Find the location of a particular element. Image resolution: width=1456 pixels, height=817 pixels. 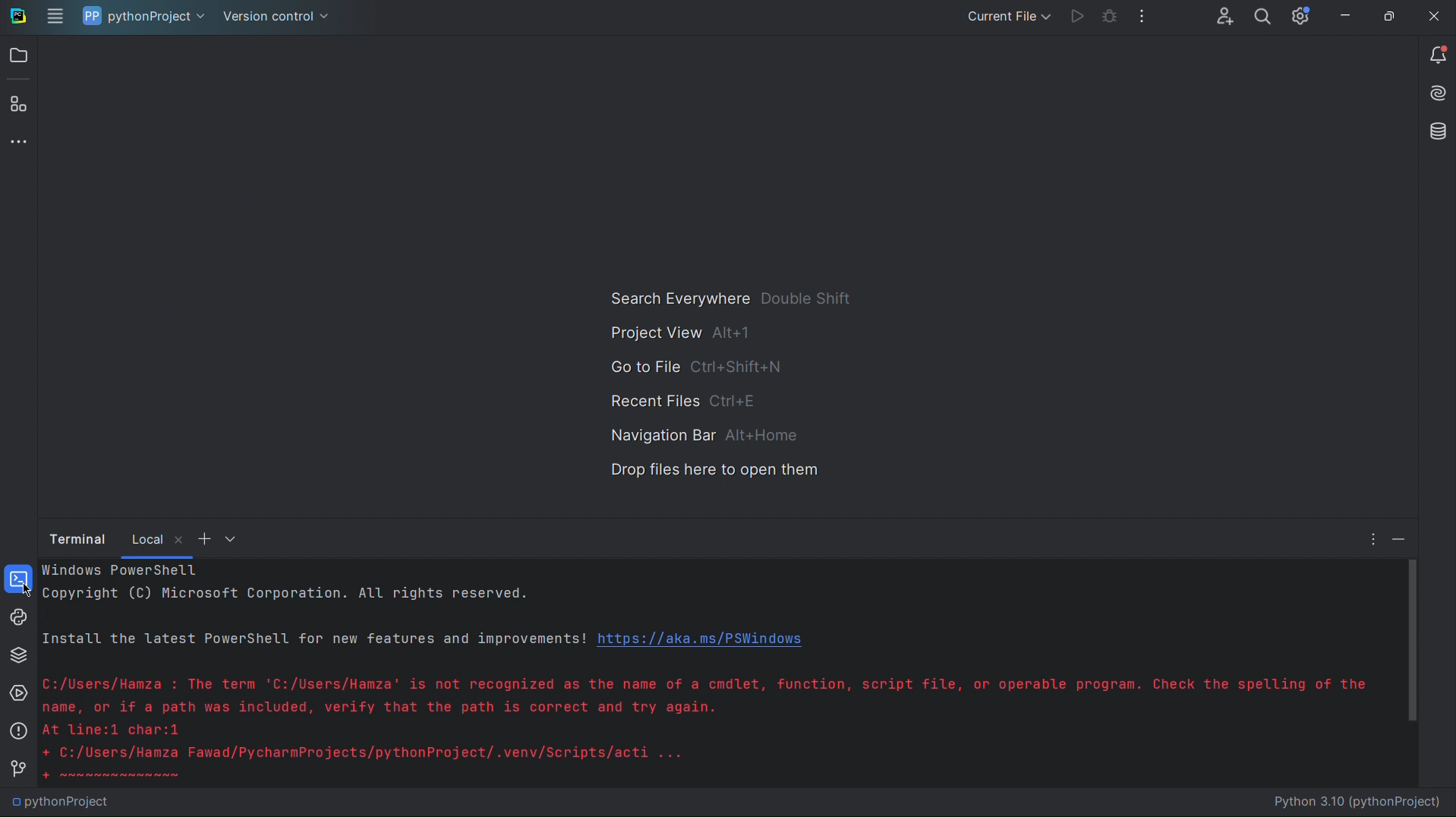

Python 3.10 (pythonProject) is located at coordinates (1361, 803).